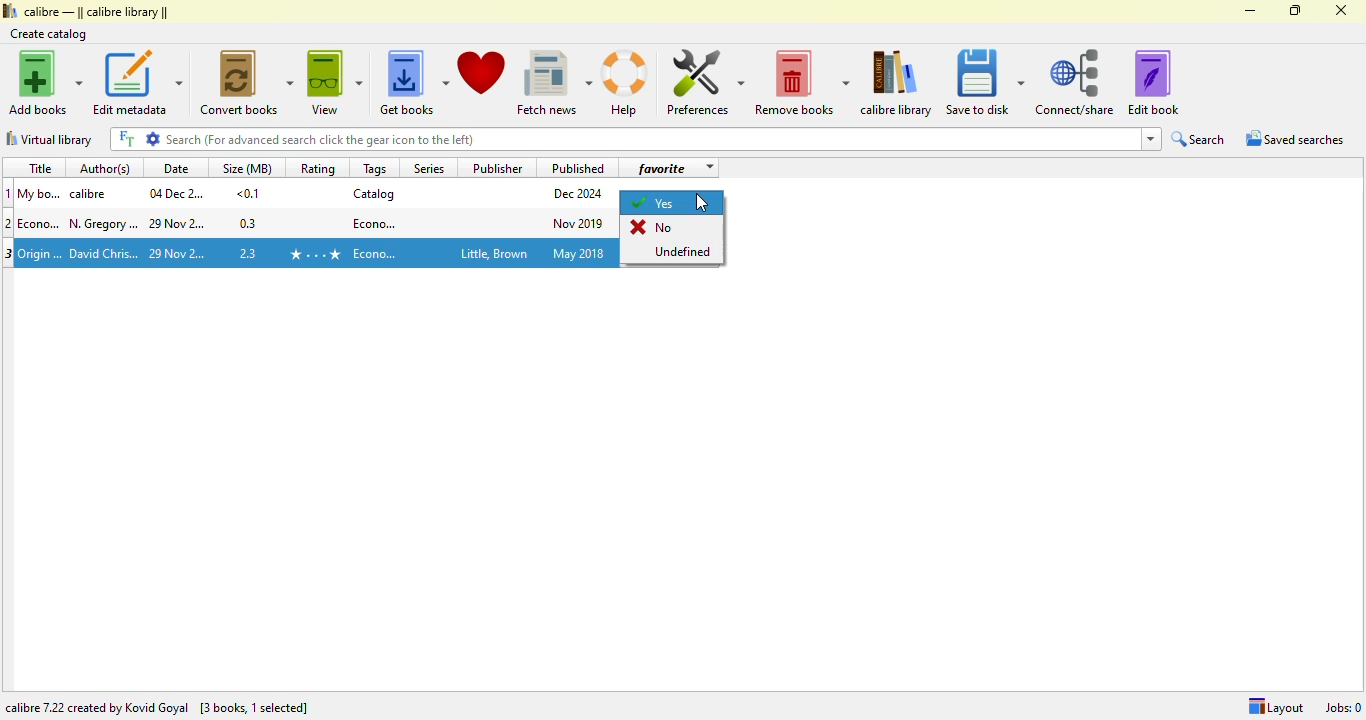 The image size is (1366, 720). Describe the element at coordinates (625, 84) in the screenshot. I see `help` at that location.